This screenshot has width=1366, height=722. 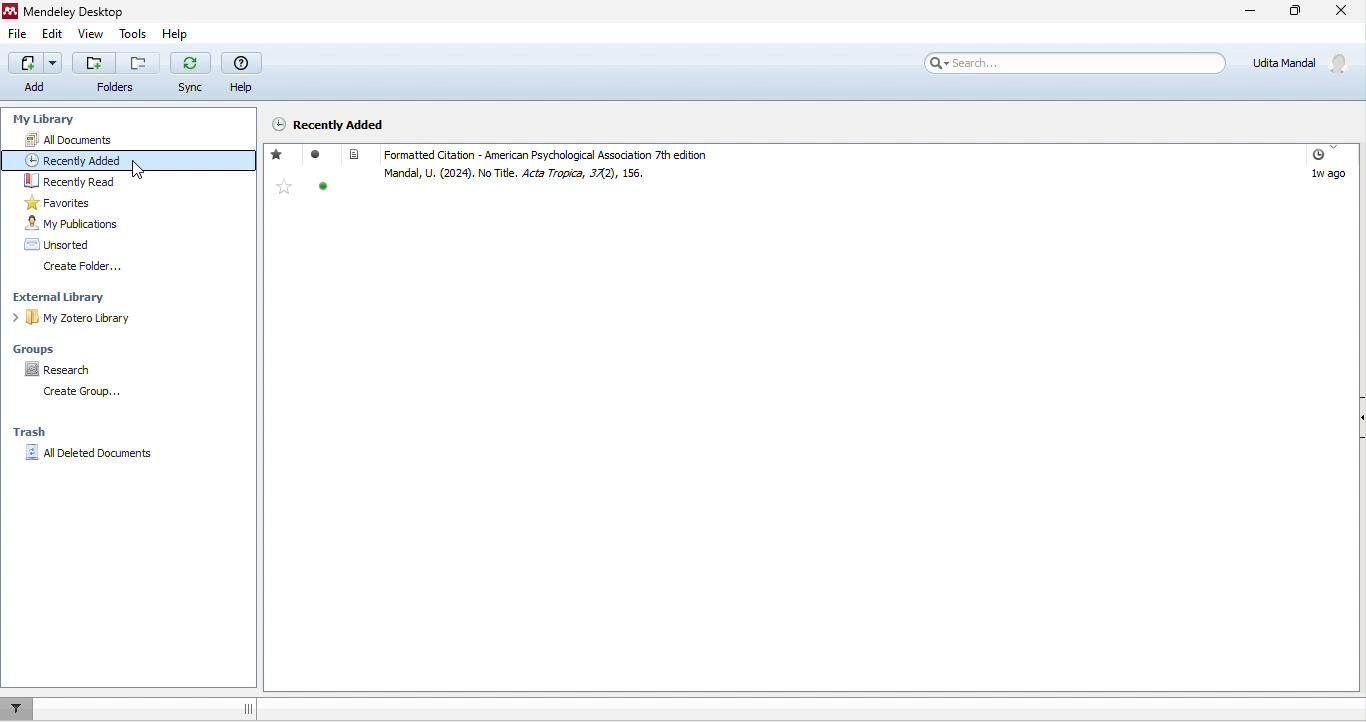 I want to click on help, so click(x=178, y=34).